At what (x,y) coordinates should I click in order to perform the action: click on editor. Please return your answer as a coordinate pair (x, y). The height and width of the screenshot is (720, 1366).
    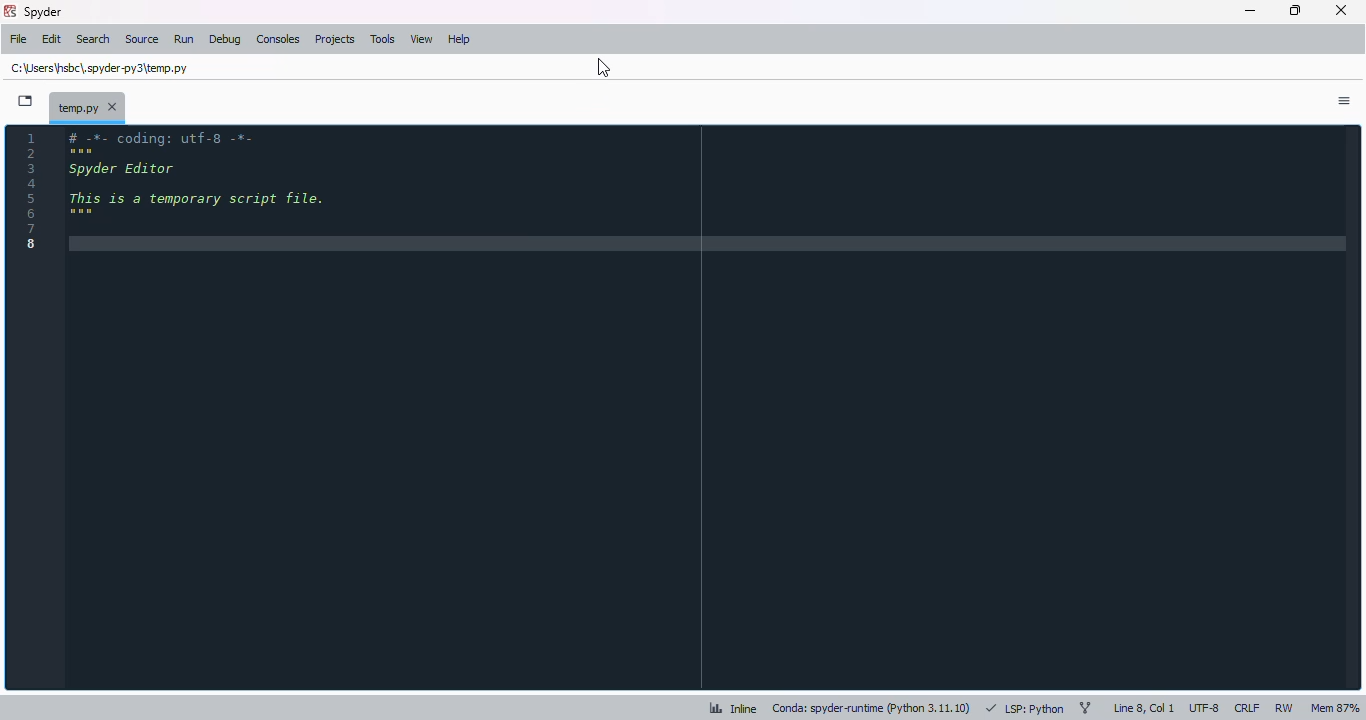
    Looking at the image, I should click on (702, 401).